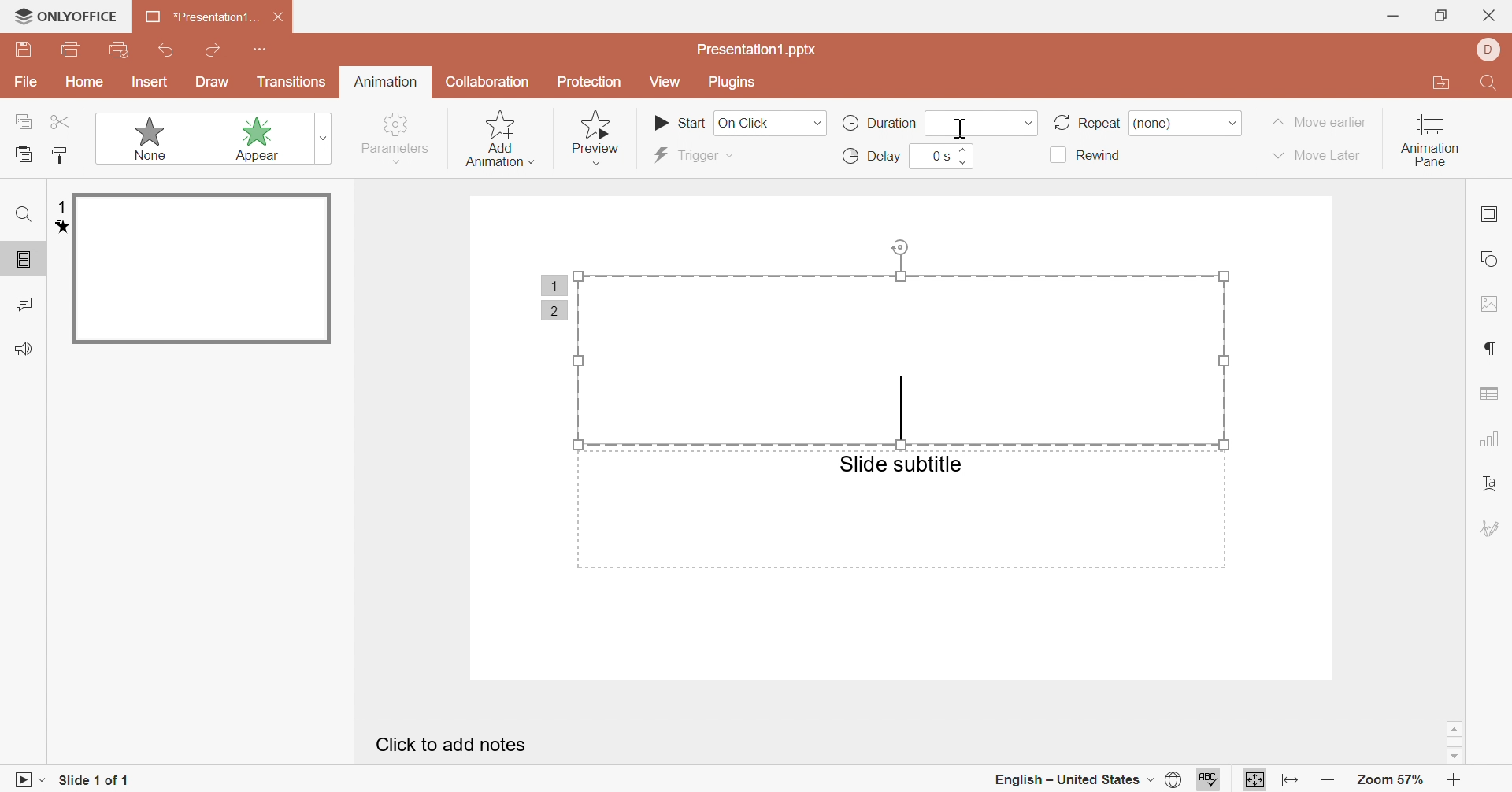 This screenshot has width=1512, height=792. I want to click on click to add notes, so click(448, 742).